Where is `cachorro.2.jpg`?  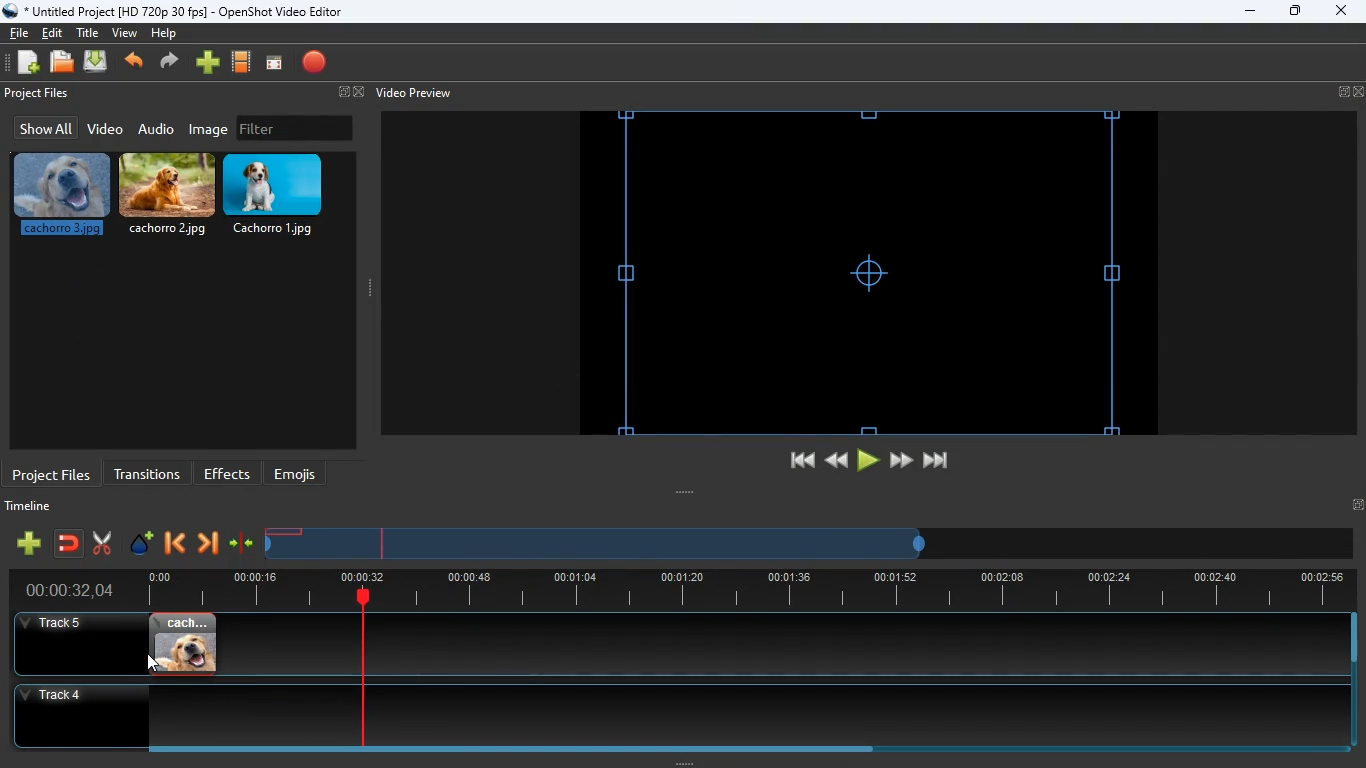 cachorro.2.jpg is located at coordinates (166, 196).